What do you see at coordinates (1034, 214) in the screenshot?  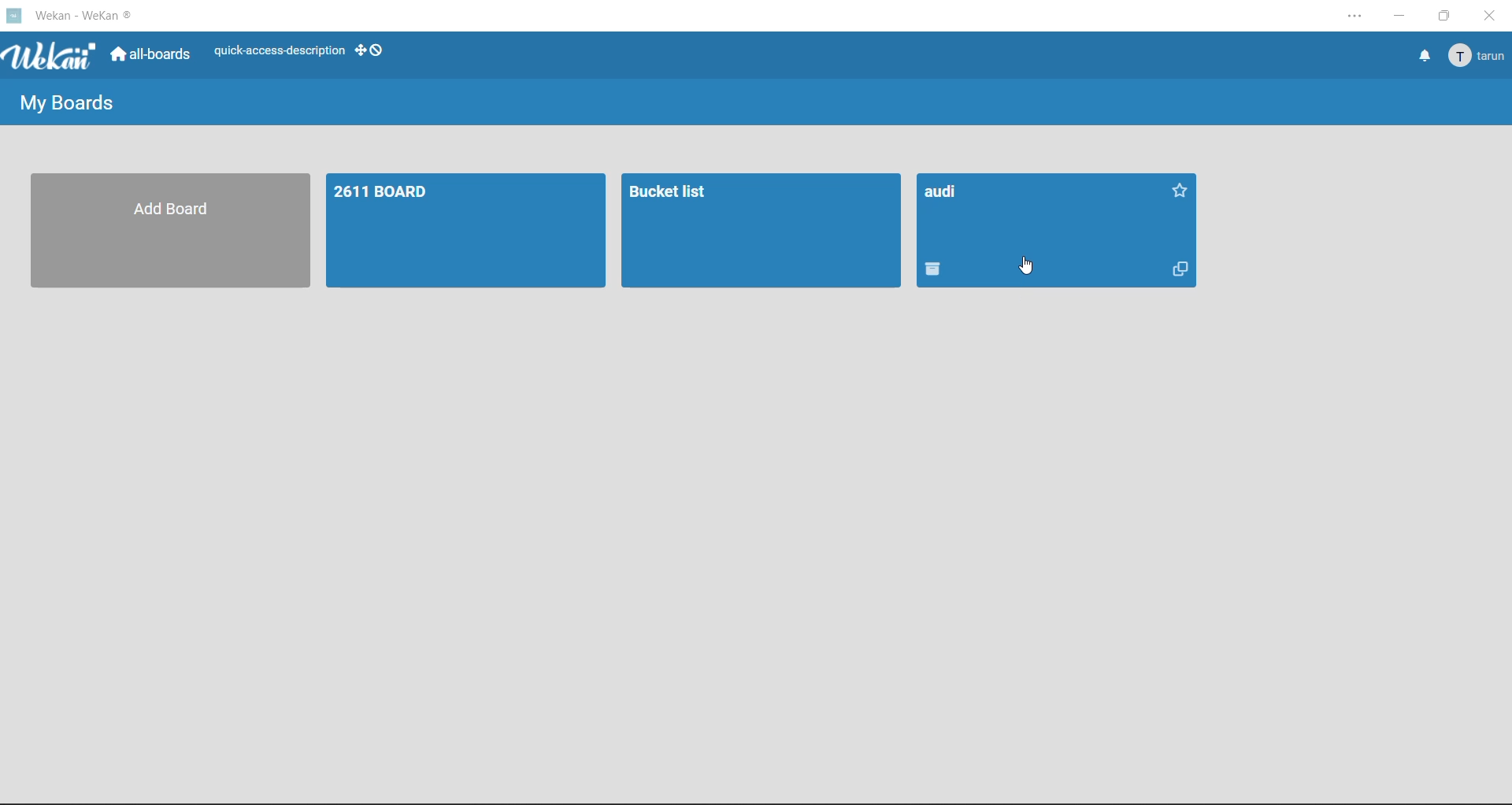 I see `audi` at bounding box center [1034, 214].